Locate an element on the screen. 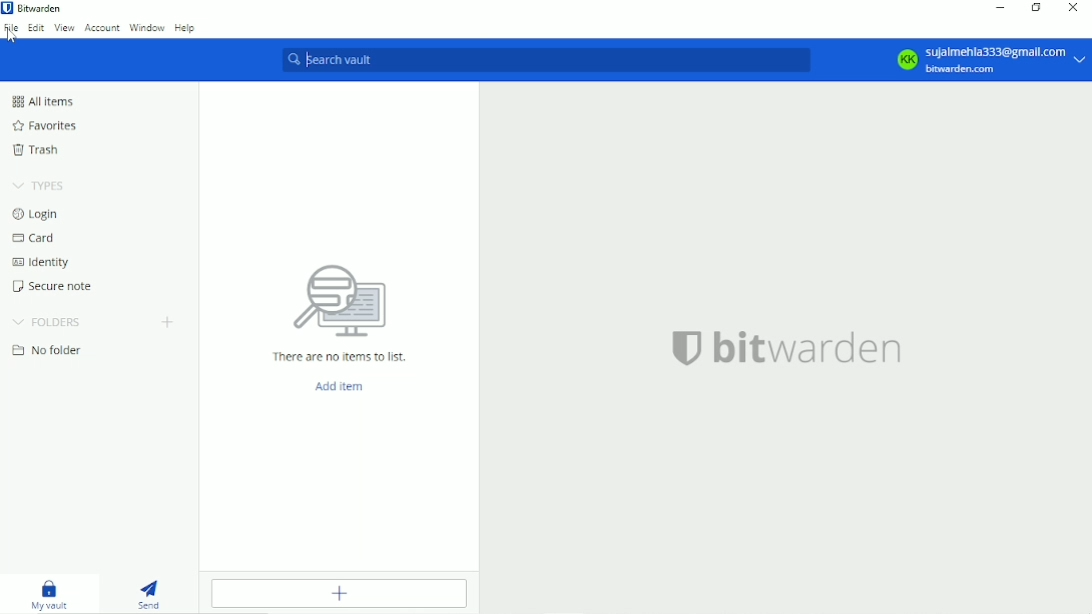 This screenshot has height=614, width=1092. Window is located at coordinates (145, 29).